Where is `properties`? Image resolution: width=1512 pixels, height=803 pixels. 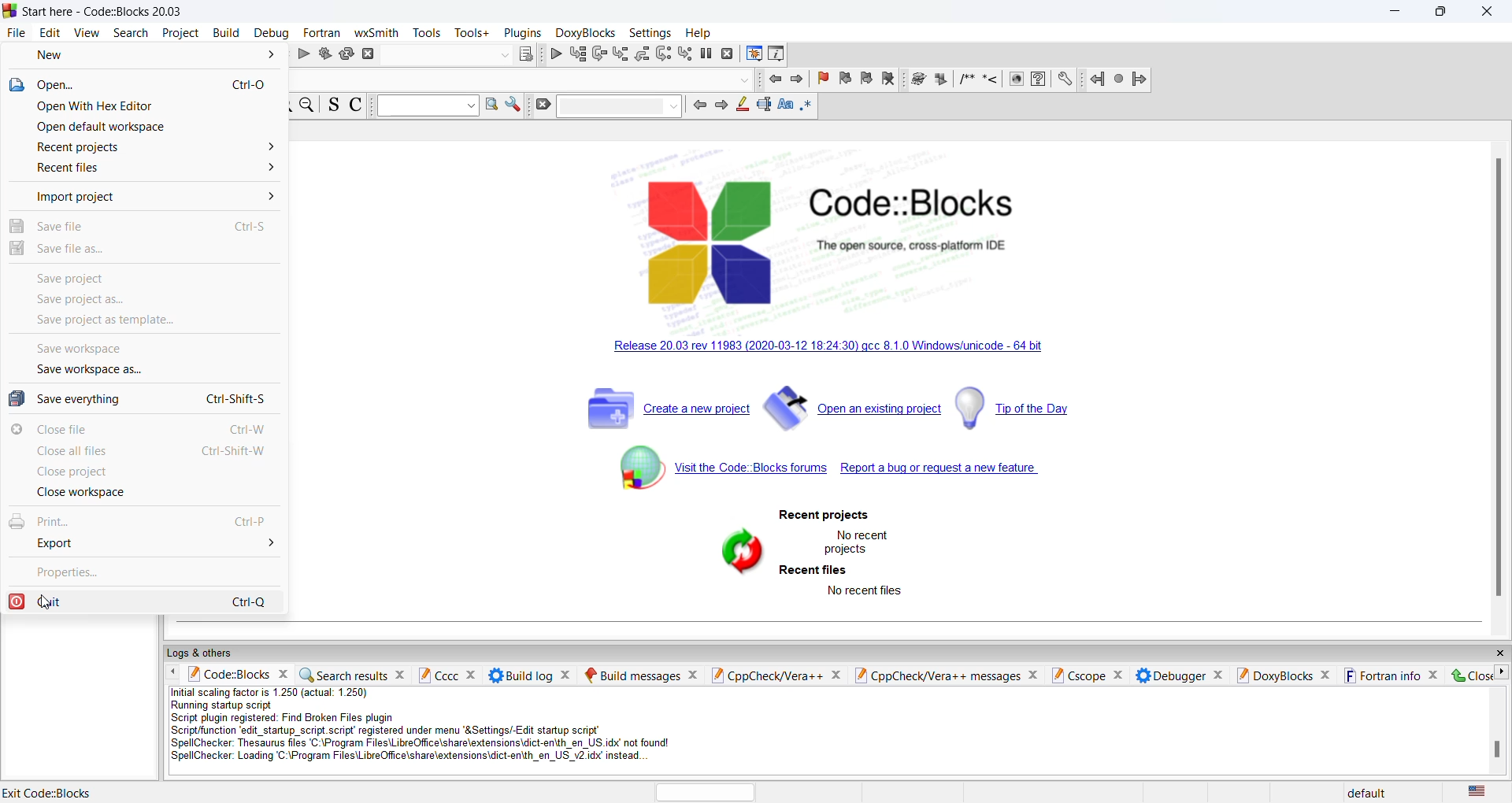
properties is located at coordinates (143, 572).